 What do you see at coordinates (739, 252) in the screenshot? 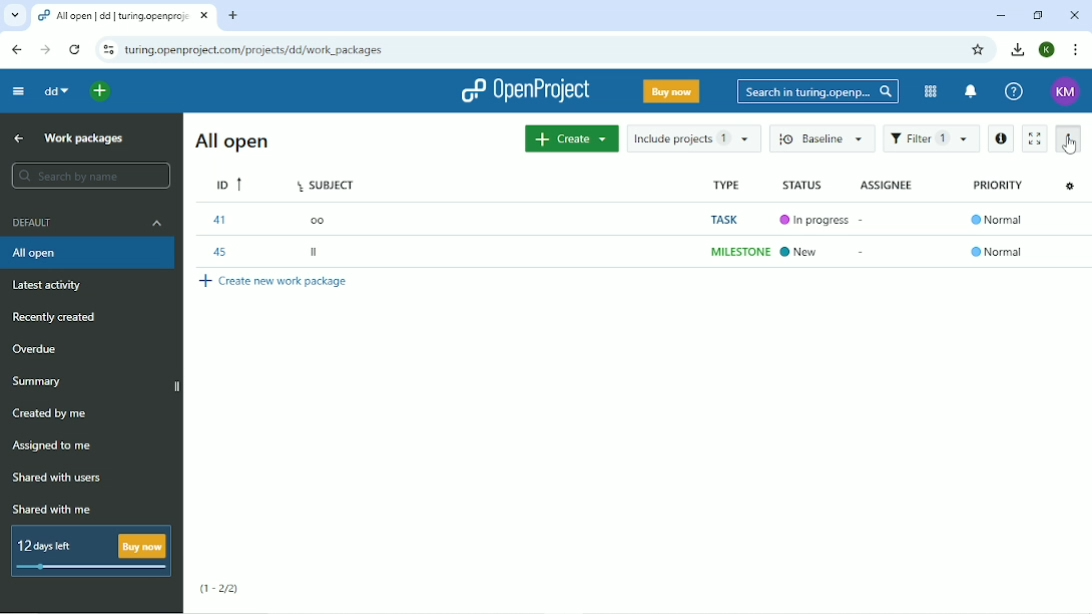
I see `Milestone` at bounding box center [739, 252].